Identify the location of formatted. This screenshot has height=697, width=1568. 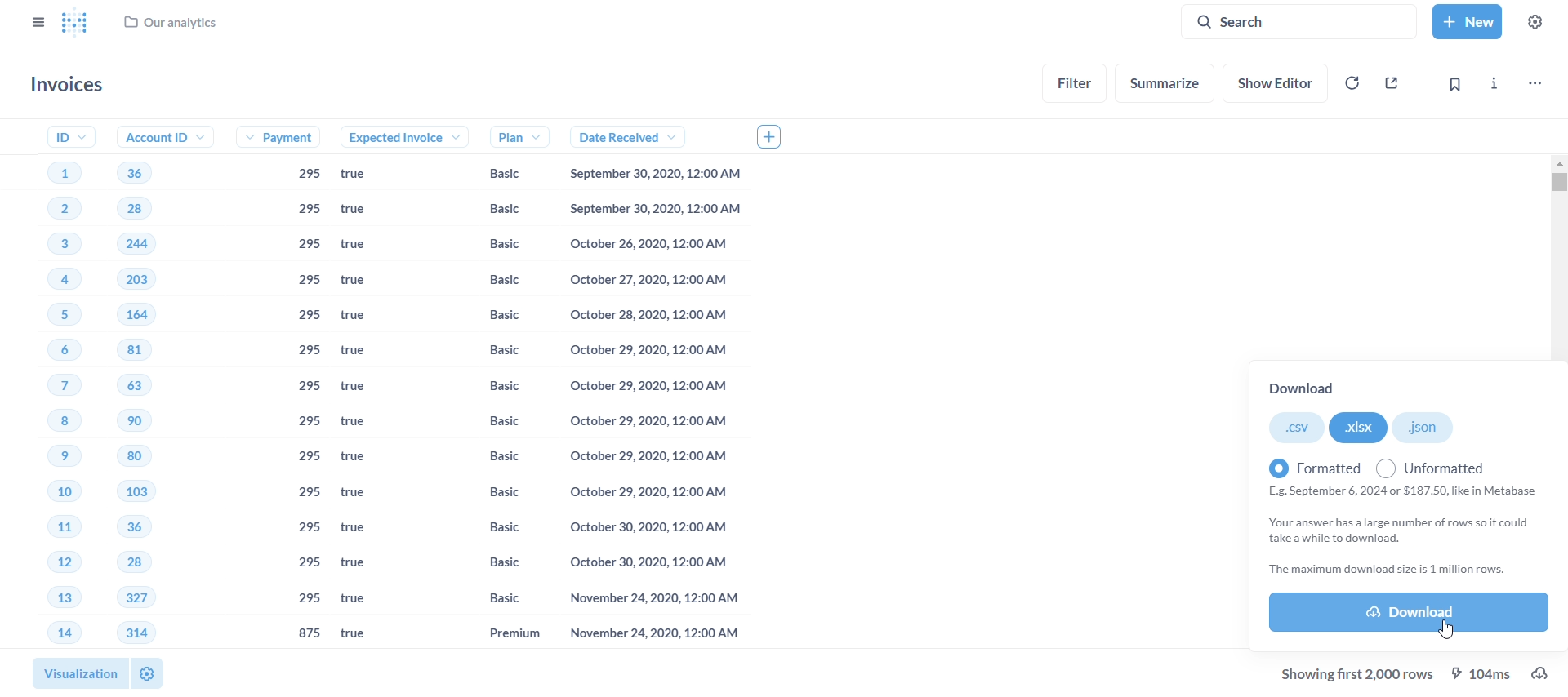
(1307, 464).